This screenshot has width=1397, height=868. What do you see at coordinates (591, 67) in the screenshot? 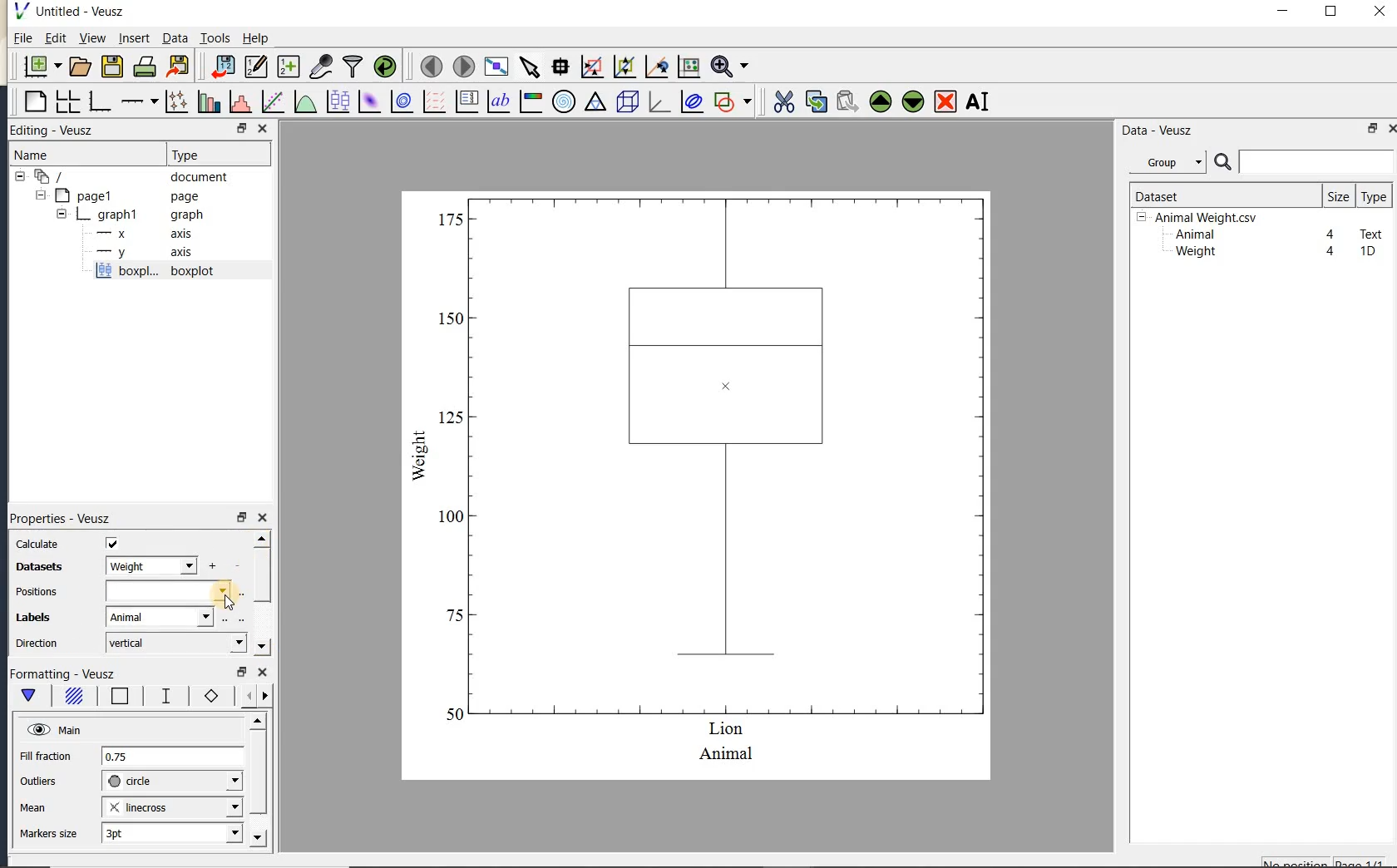
I see `click or draw a rectangle to zoom graph axes` at bounding box center [591, 67].